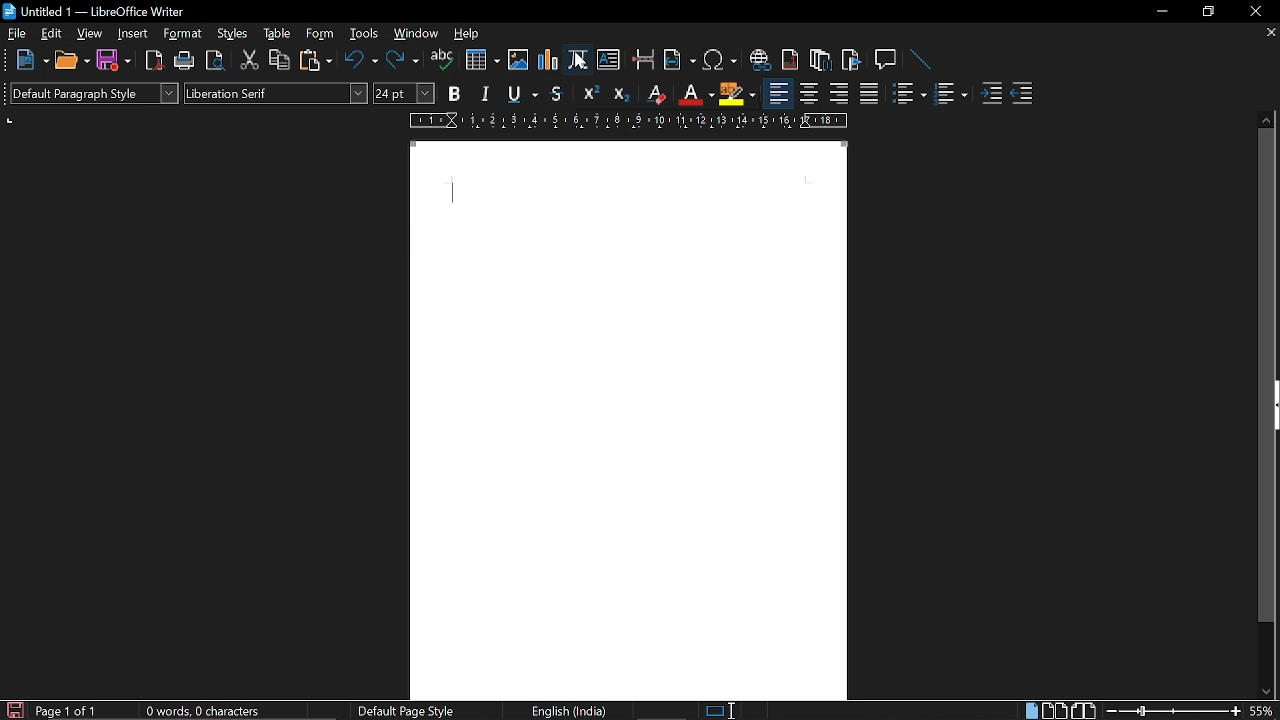 The width and height of the screenshot is (1280, 720). I want to click on English (India), so click(573, 711).